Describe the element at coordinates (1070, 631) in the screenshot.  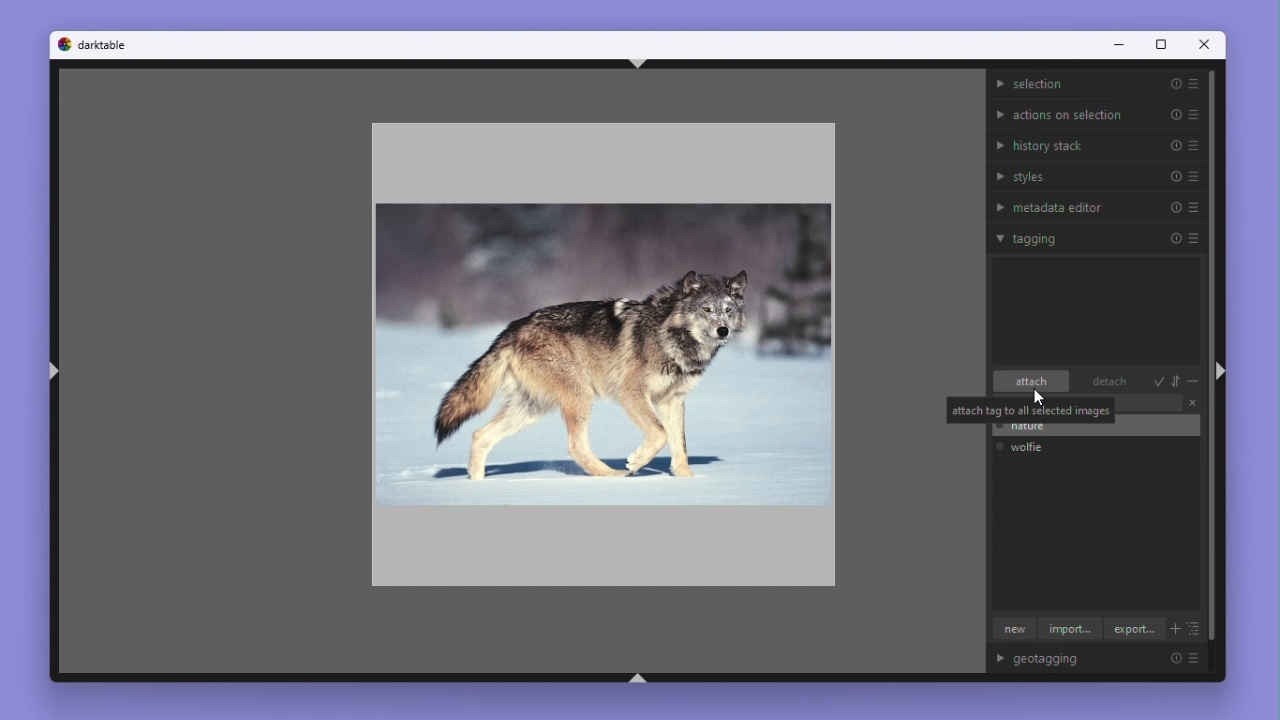
I see `Import` at that location.